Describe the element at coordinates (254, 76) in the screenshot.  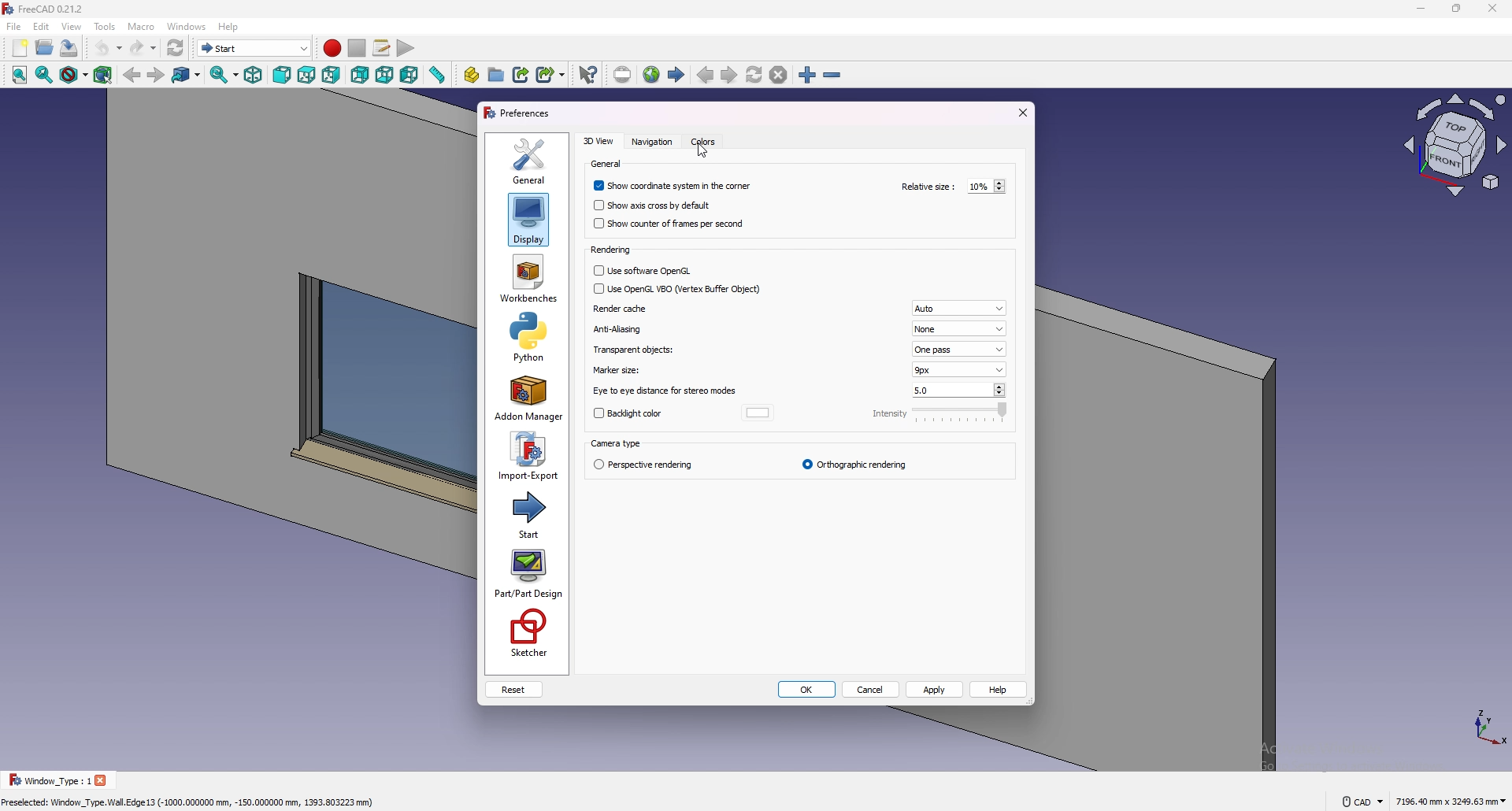
I see `isometric` at that location.